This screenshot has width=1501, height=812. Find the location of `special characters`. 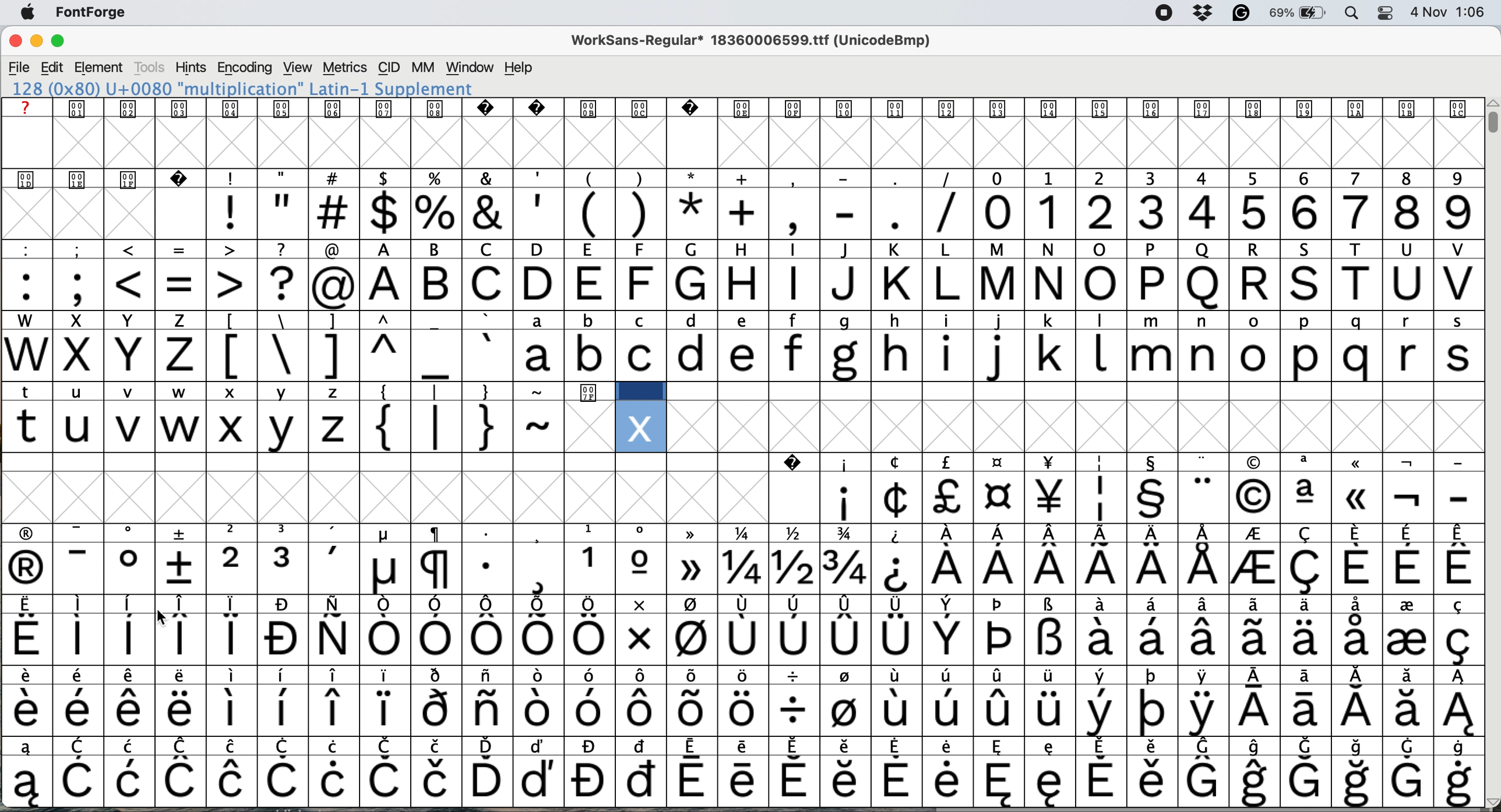

special characters is located at coordinates (739, 781).